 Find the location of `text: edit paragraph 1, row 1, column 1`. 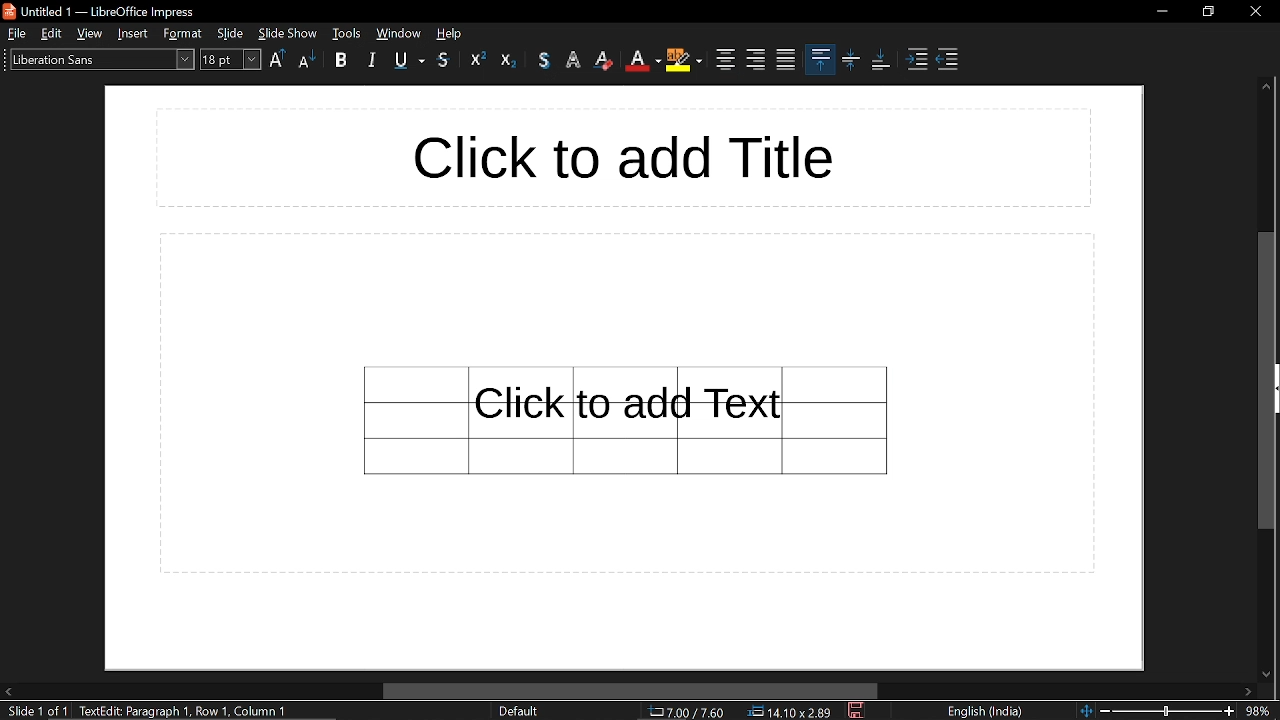

text: edit paragraph 1, row 1, column 1 is located at coordinates (186, 712).